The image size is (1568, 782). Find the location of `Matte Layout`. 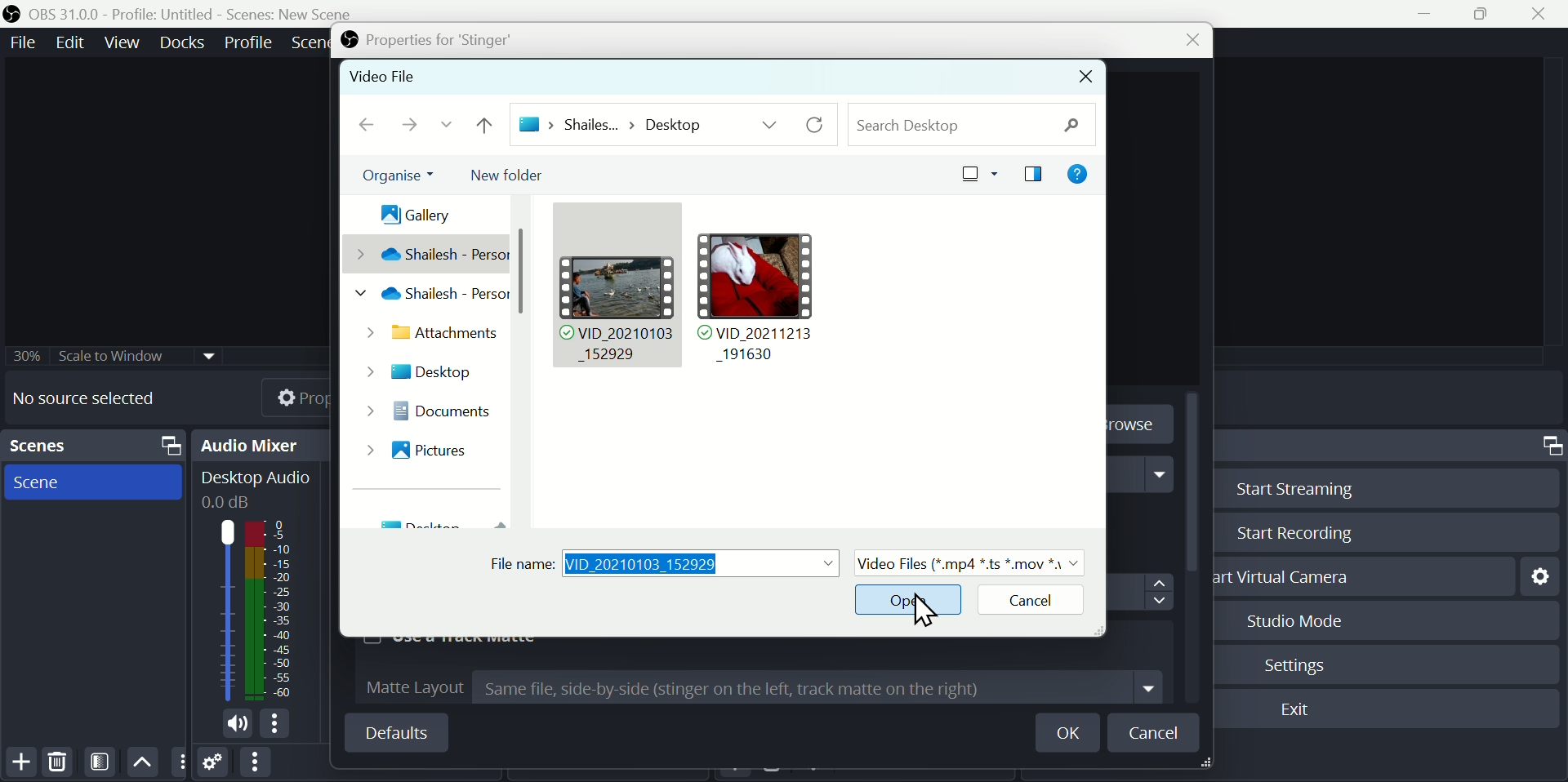

Matte Layout is located at coordinates (764, 687).